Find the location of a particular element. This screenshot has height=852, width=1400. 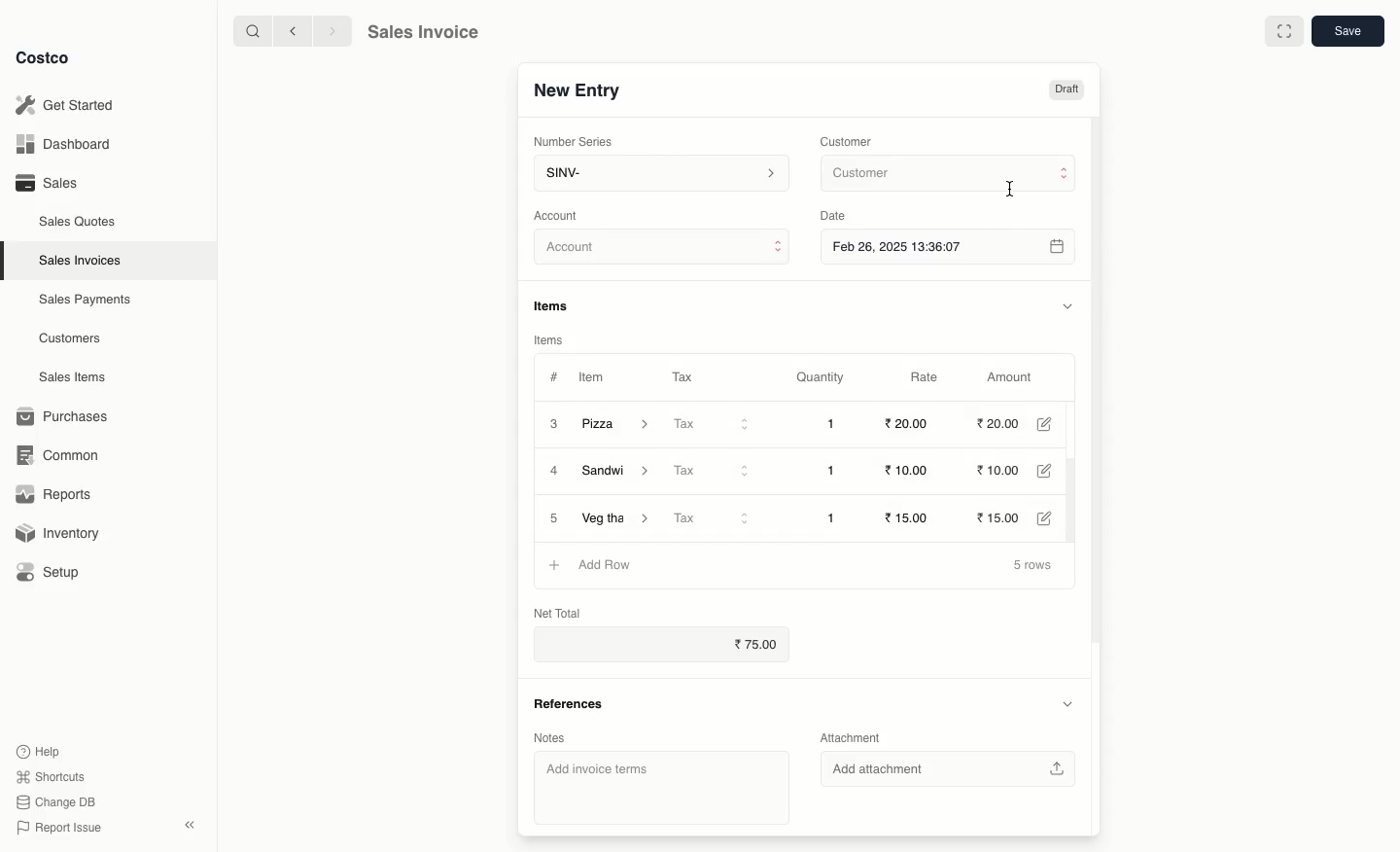

Customers is located at coordinates (70, 337).